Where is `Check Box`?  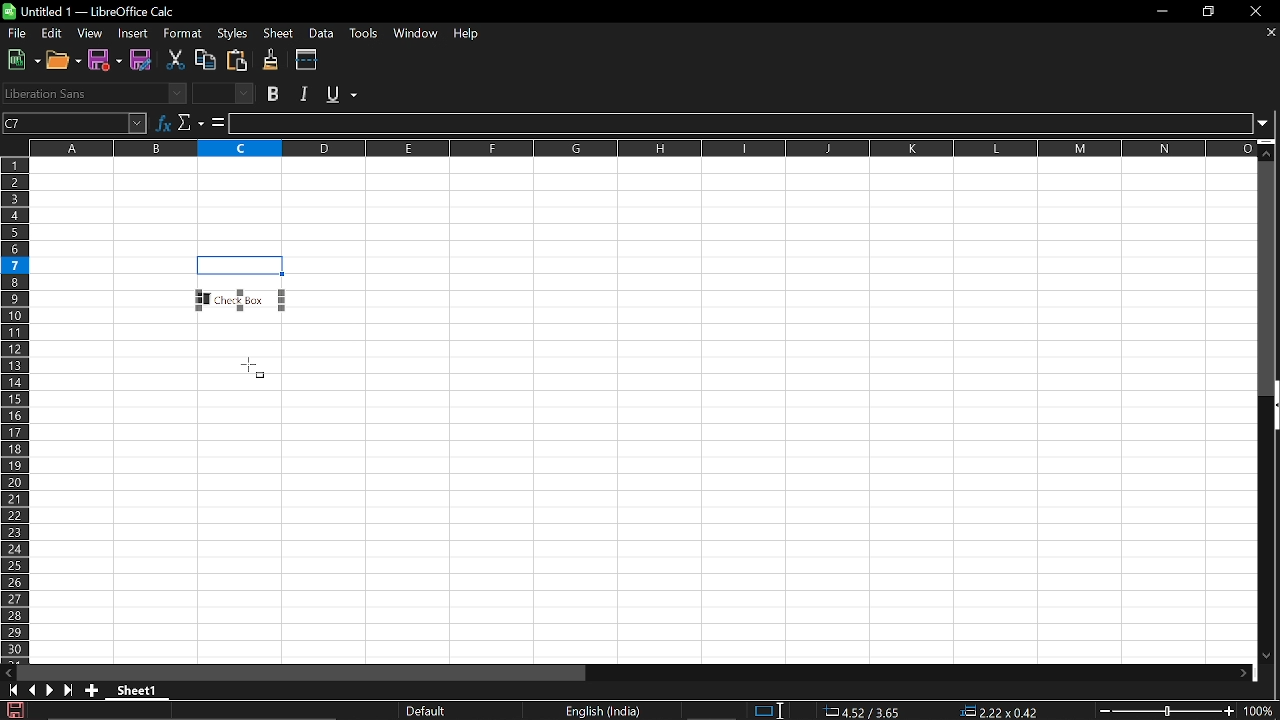 Check Box is located at coordinates (242, 299).